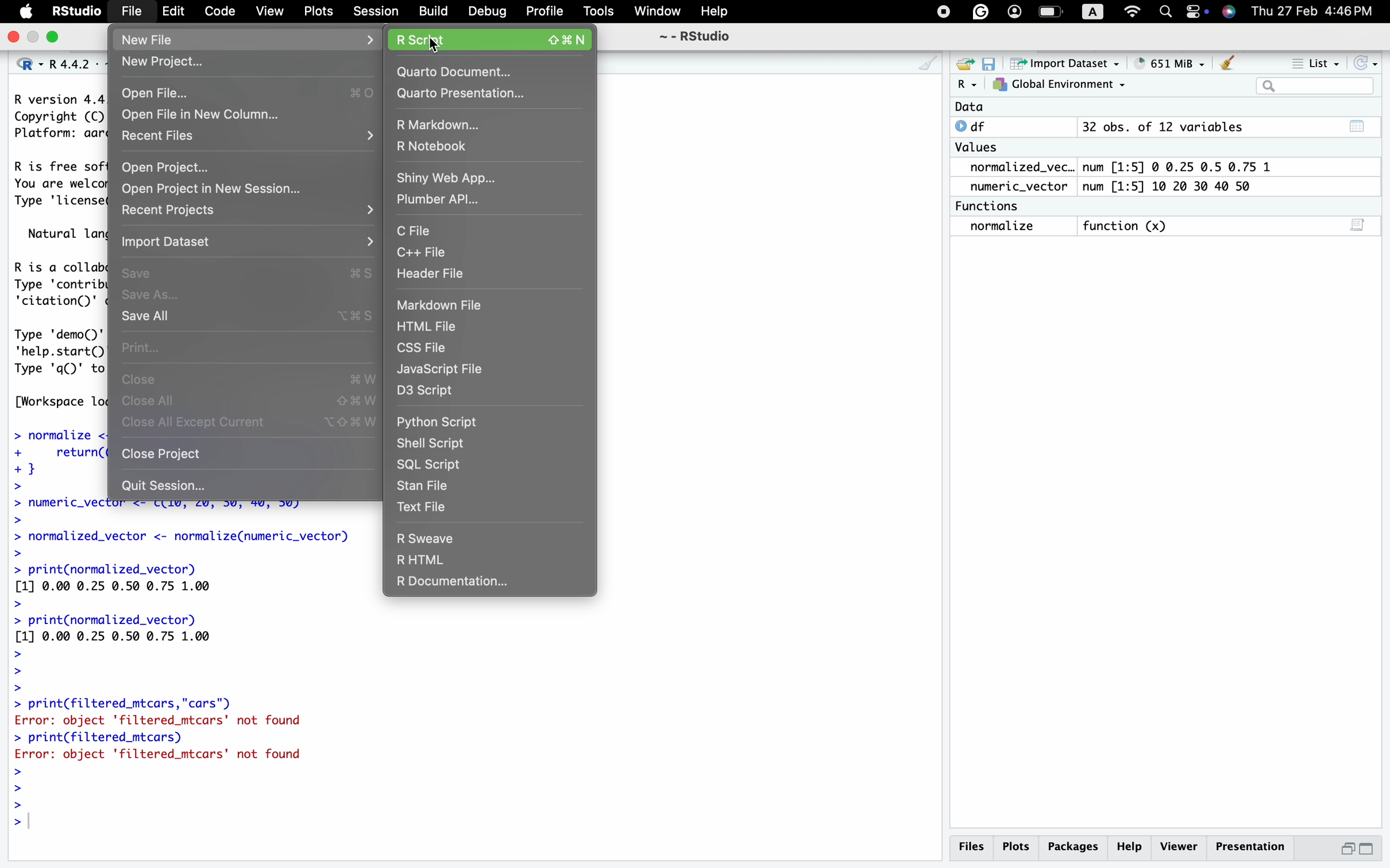 This screenshot has height=868, width=1390. I want to click on File, so click(130, 13).